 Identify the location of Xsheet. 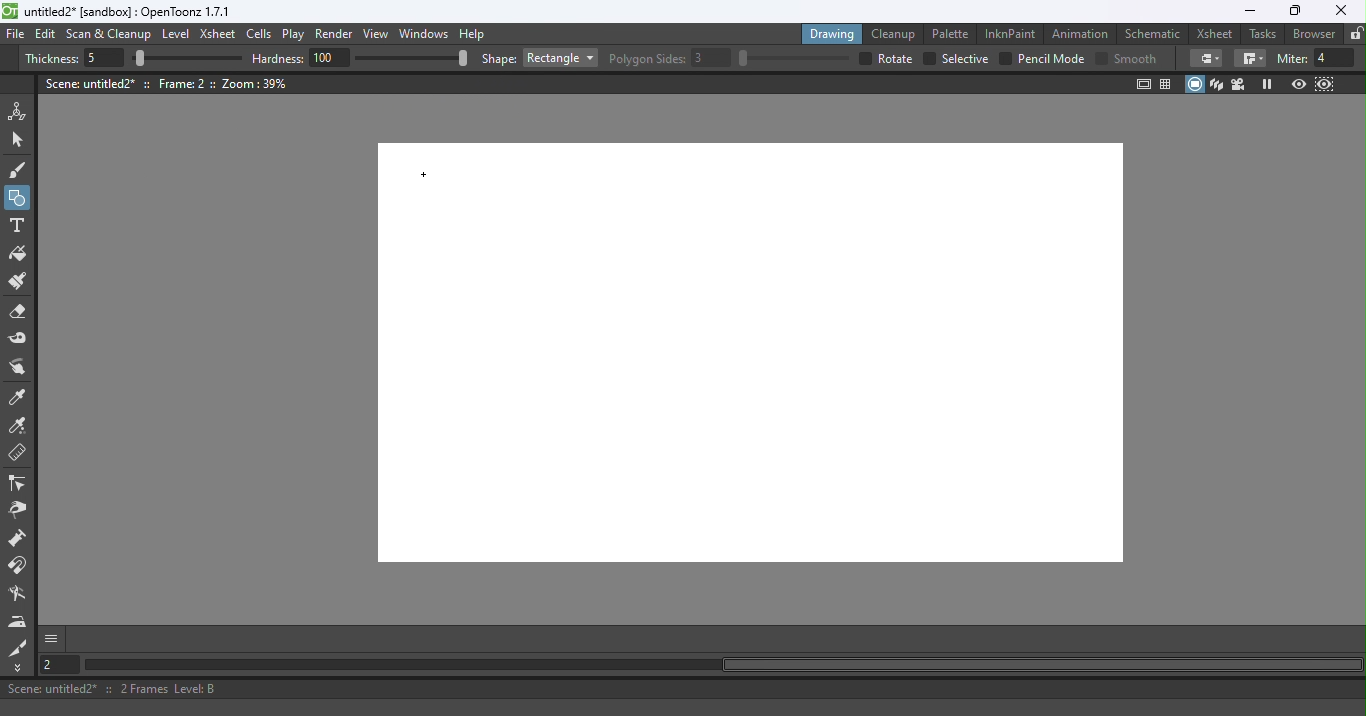
(220, 36).